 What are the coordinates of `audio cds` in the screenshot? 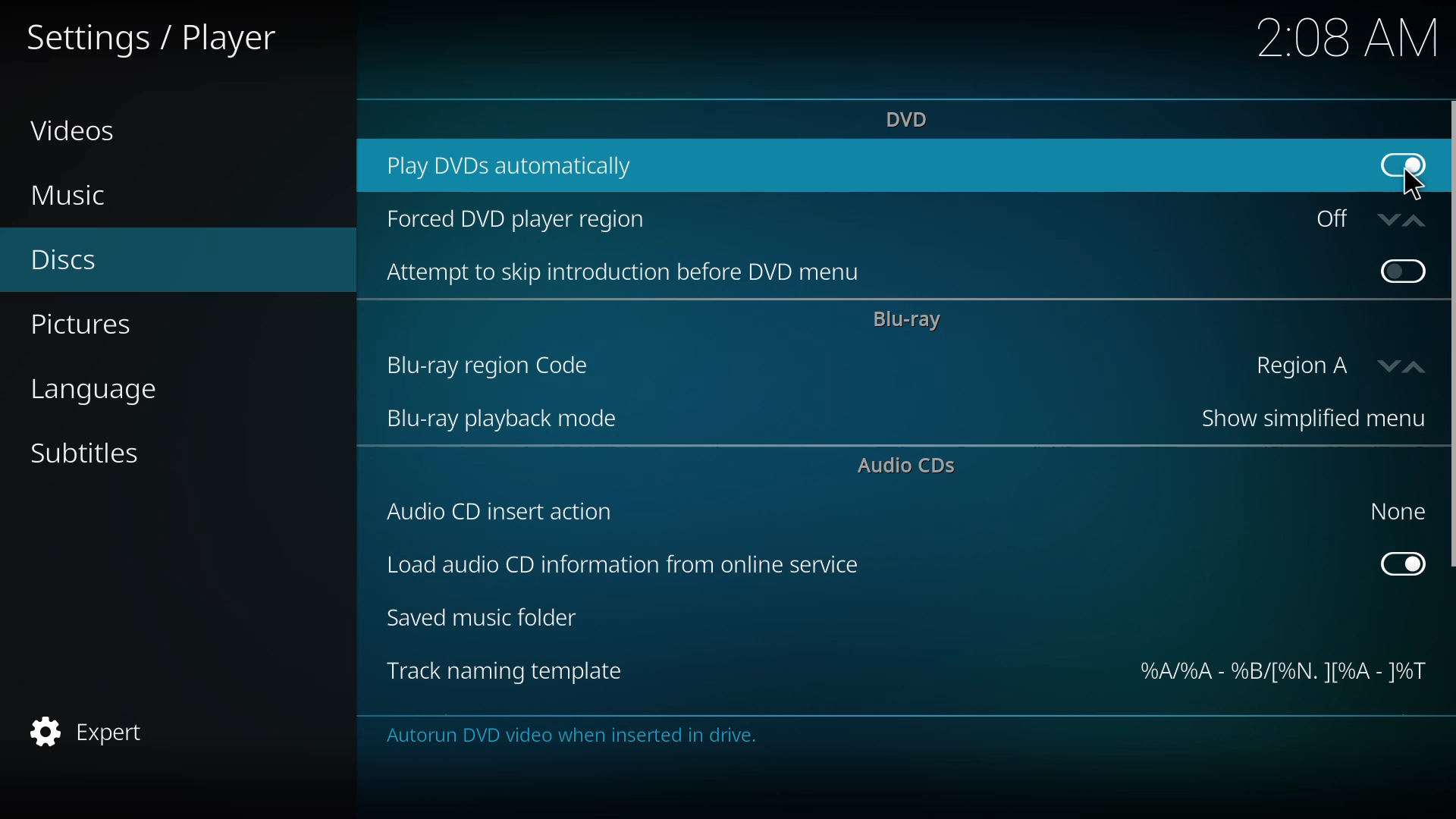 It's located at (912, 467).